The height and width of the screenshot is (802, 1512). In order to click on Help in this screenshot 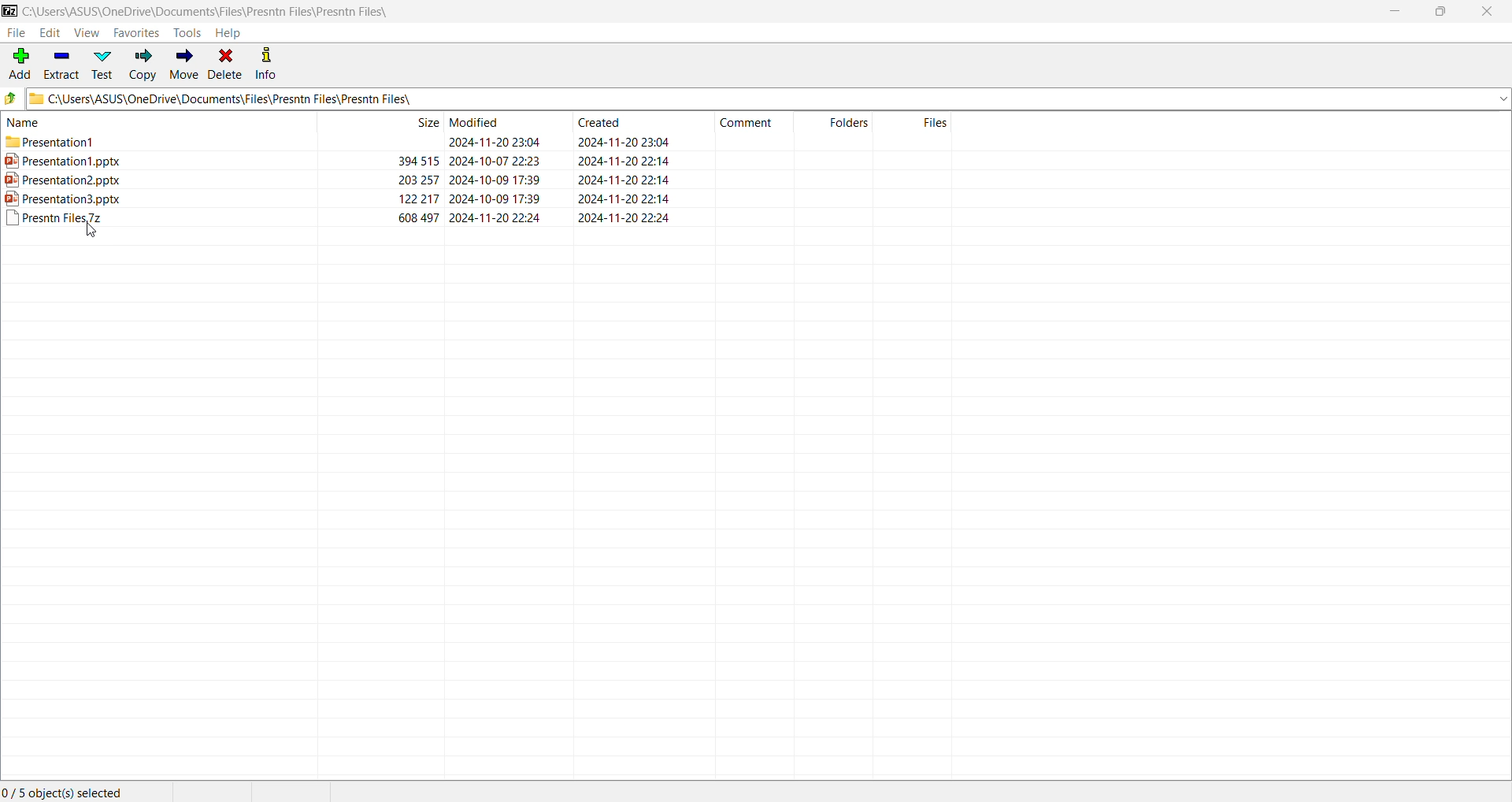, I will do `click(230, 33)`.